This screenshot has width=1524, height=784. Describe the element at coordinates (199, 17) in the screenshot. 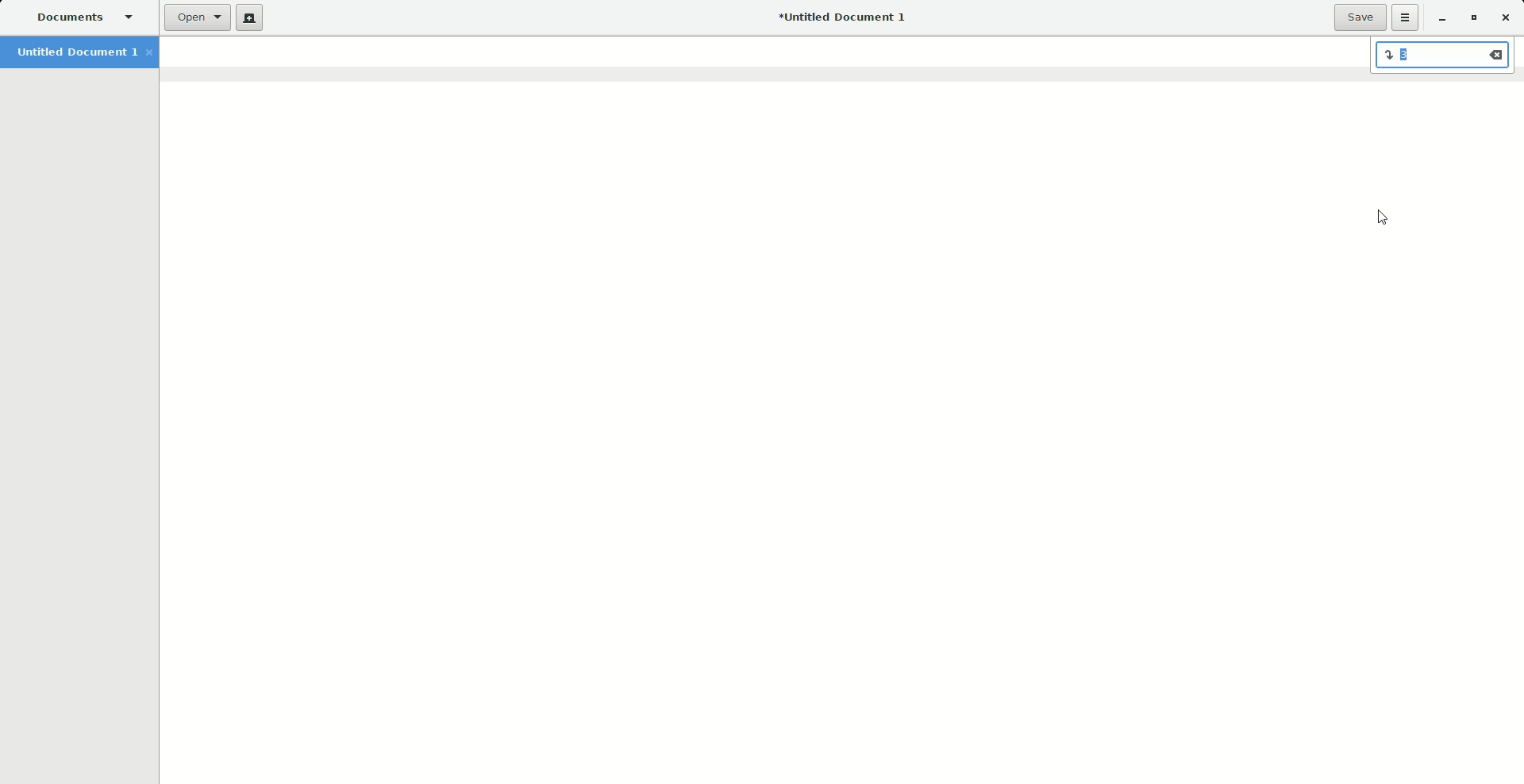

I see `Open` at that location.